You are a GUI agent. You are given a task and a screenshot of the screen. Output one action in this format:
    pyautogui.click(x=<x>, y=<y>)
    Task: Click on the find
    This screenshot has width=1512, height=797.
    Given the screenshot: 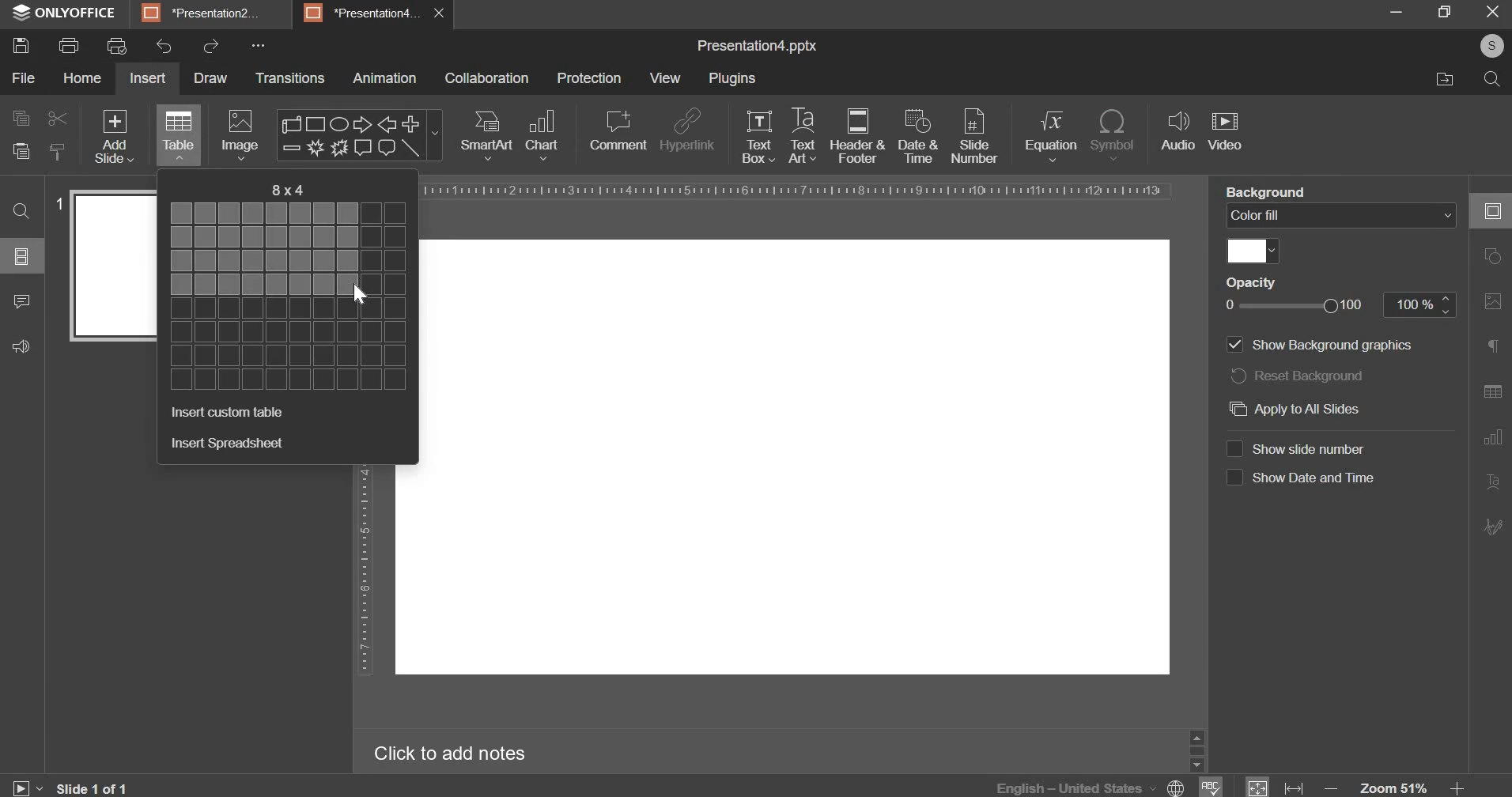 What is the action you would take?
    pyautogui.click(x=23, y=211)
    